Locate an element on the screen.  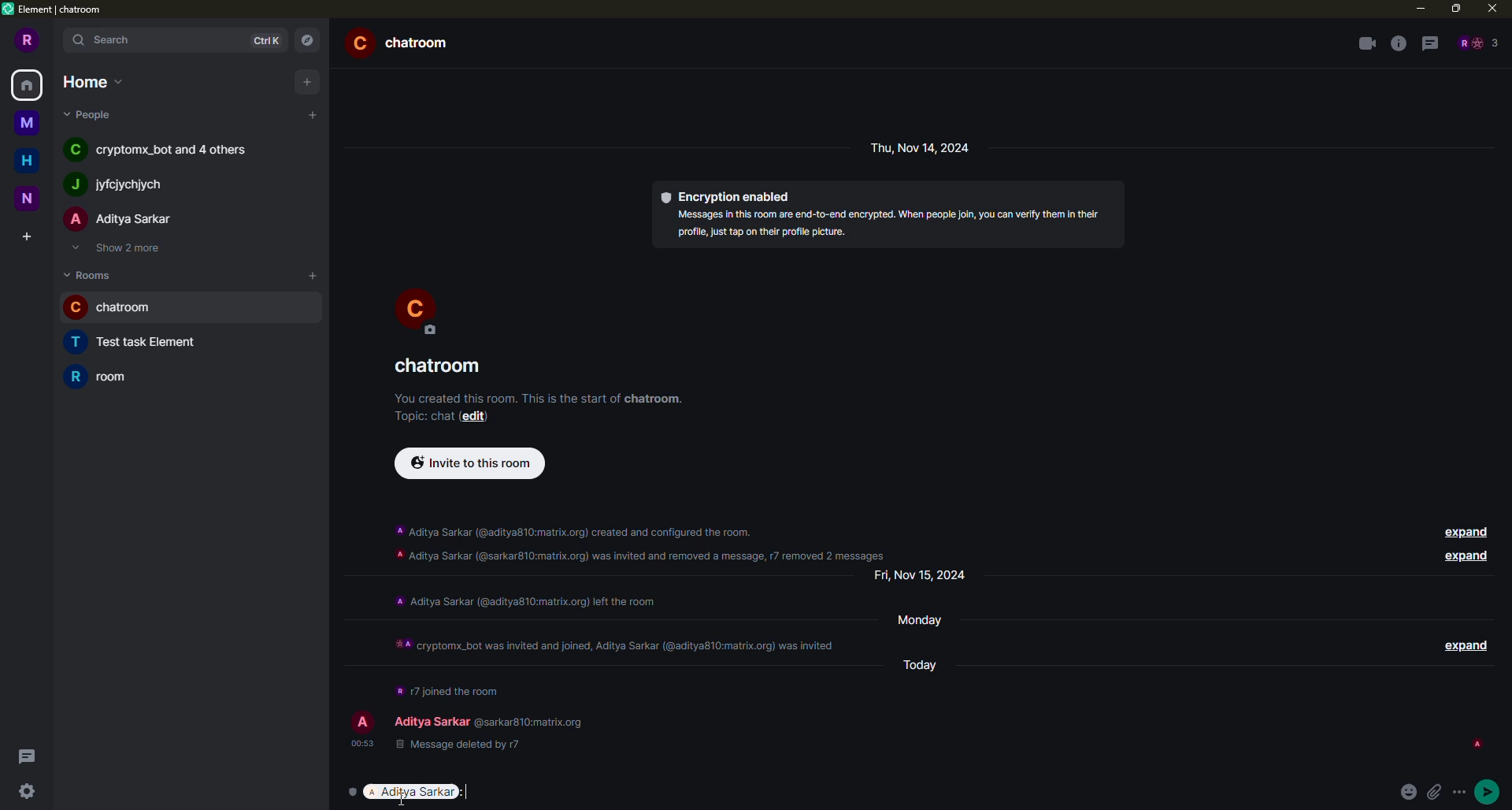
day is located at coordinates (924, 147).